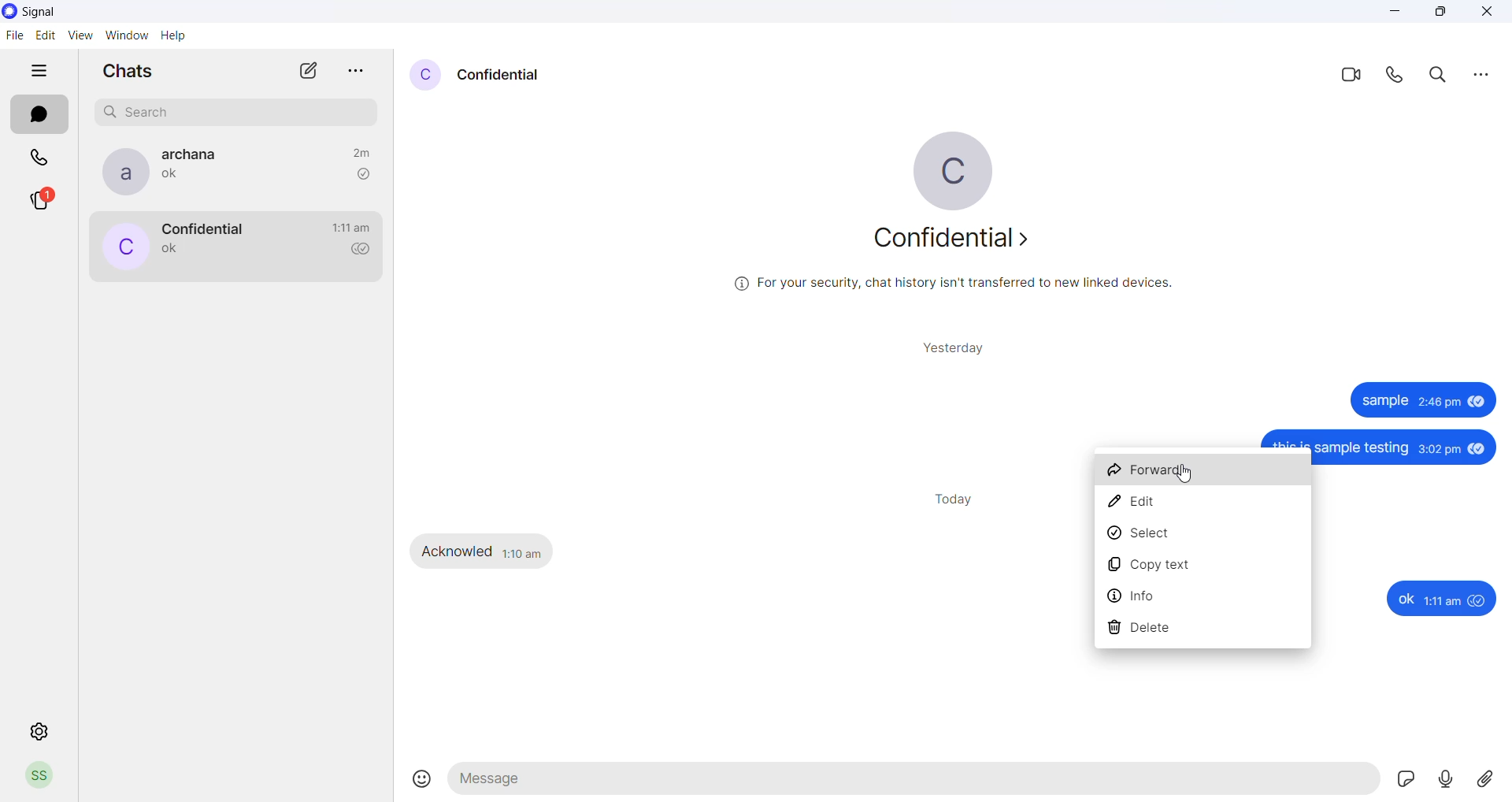  Describe the element at coordinates (500, 73) in the screenshot. I see `contact name` at that location.